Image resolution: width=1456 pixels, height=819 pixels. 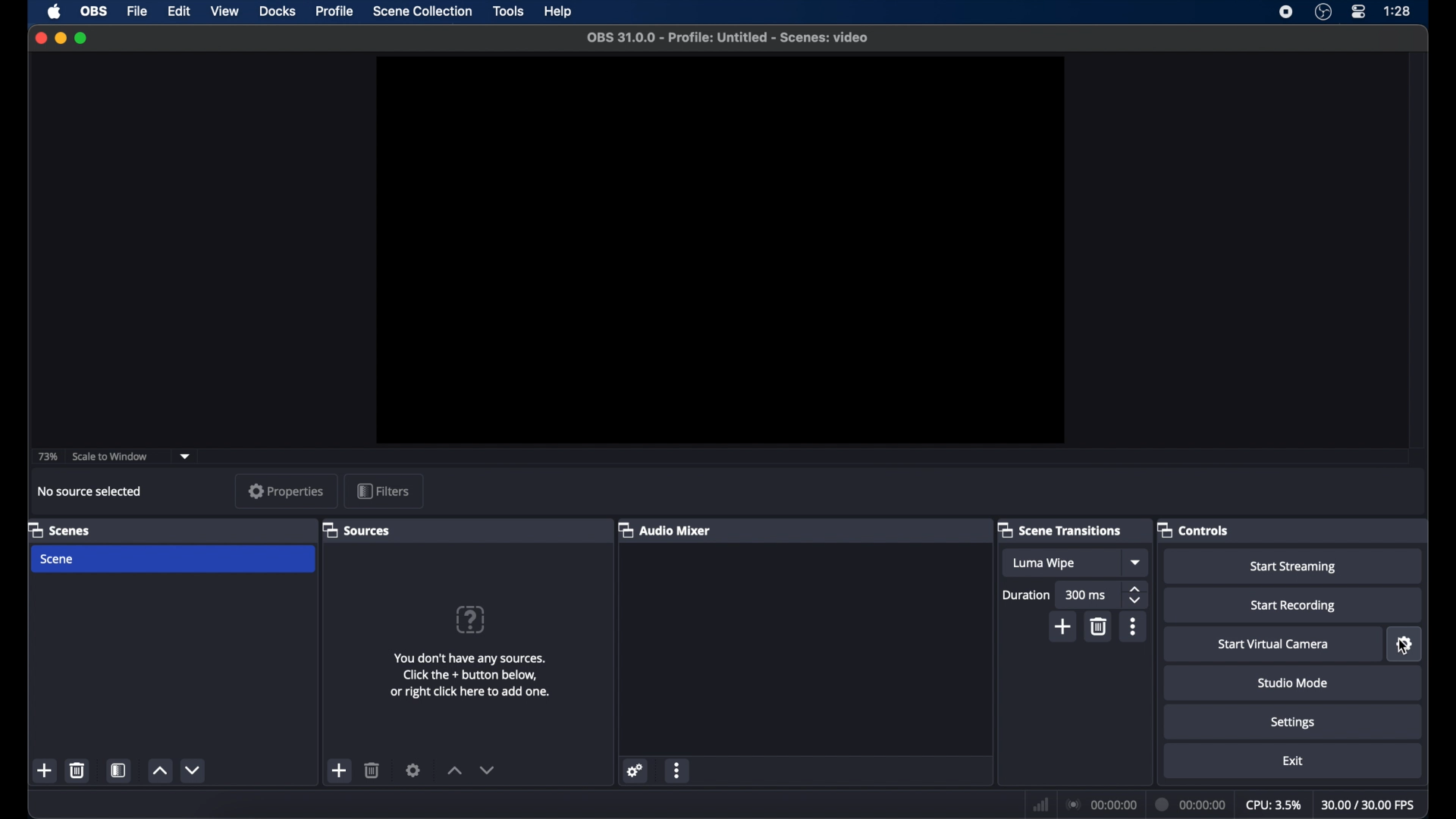 I want to click on more options, so click(x=1132, y=626).